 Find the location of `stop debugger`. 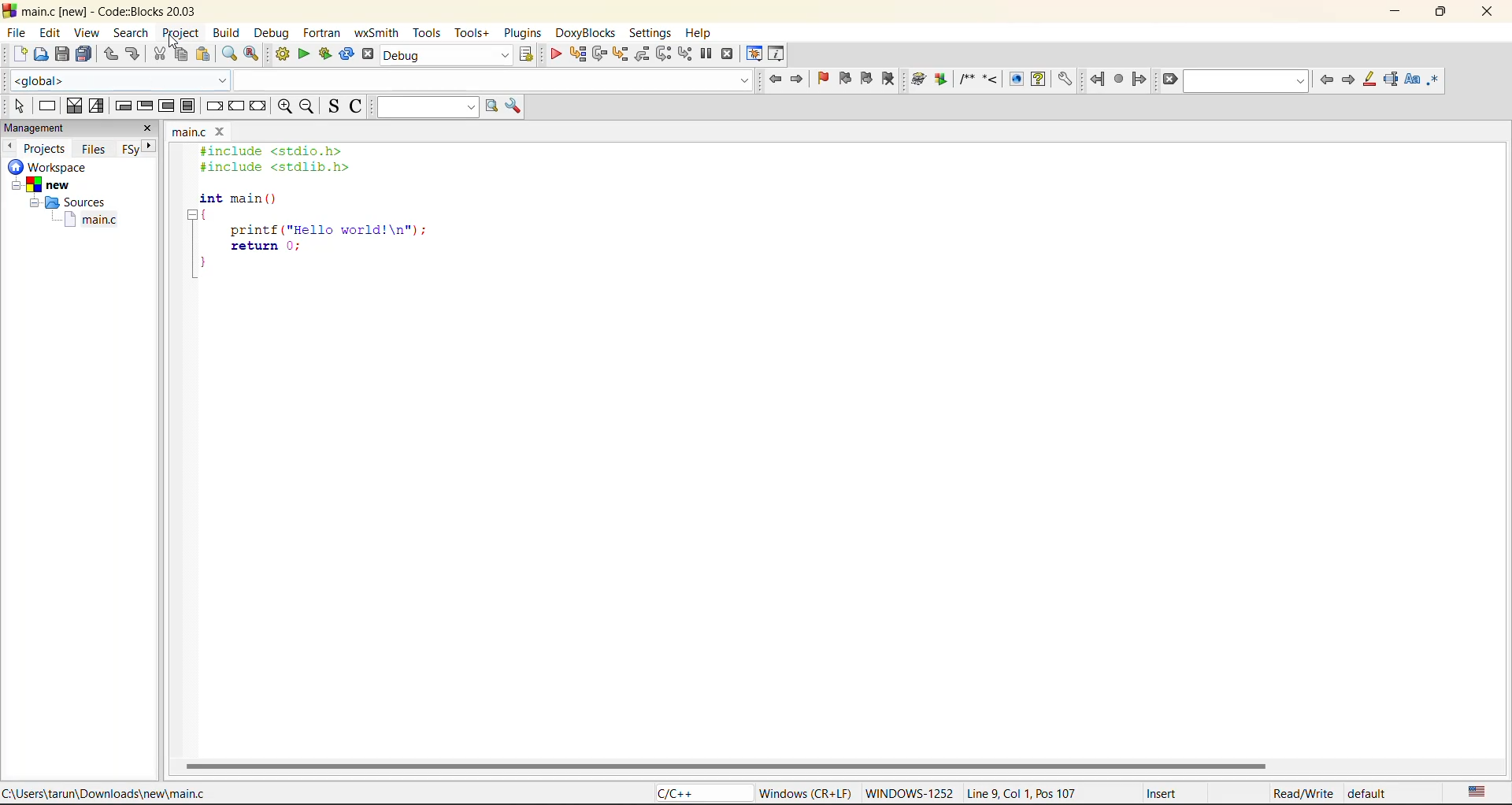

stop debugger is located at coordinates (728, 54).